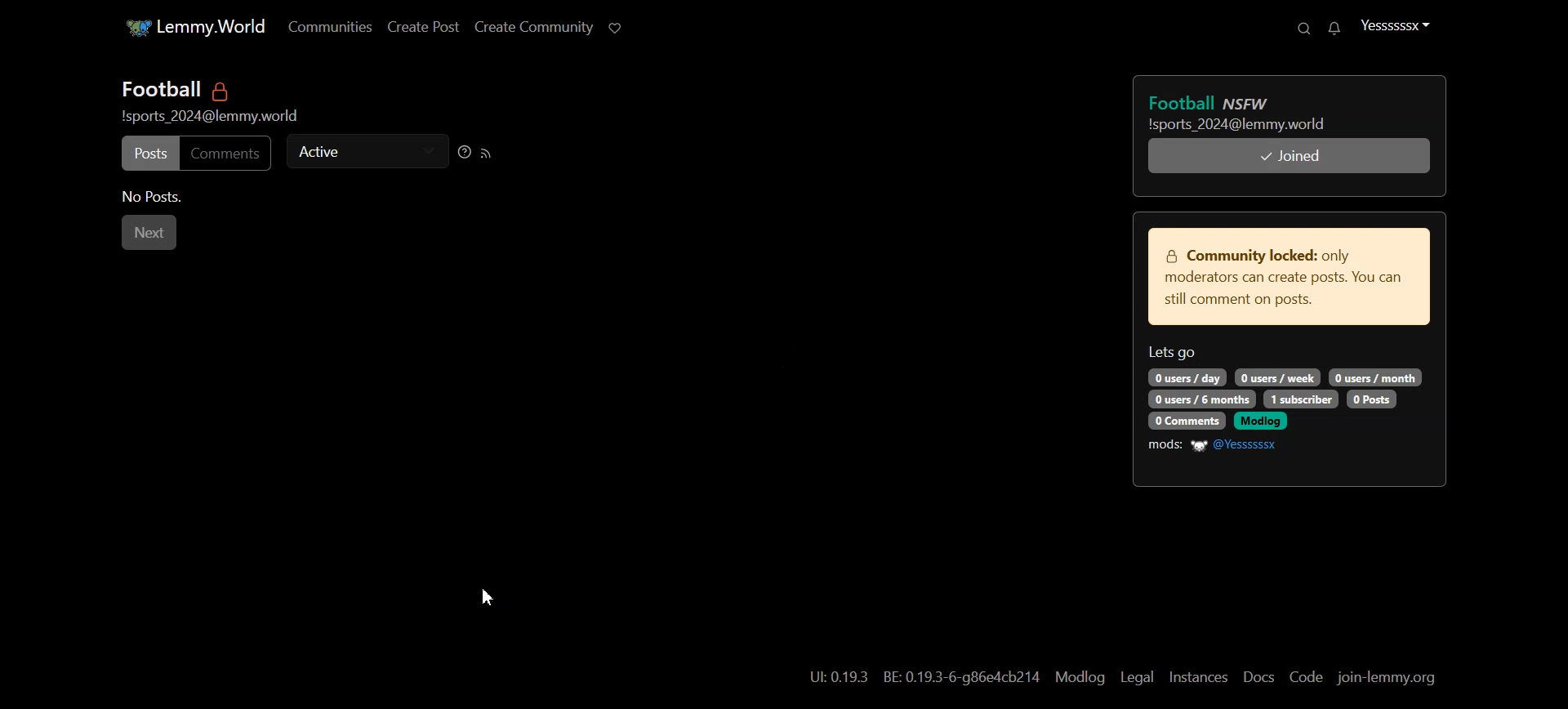 The width and height of the screenshot is (1568, 709). Describe the element at coordinates (916, 676) in the screenshot. I see `Text` at that location.